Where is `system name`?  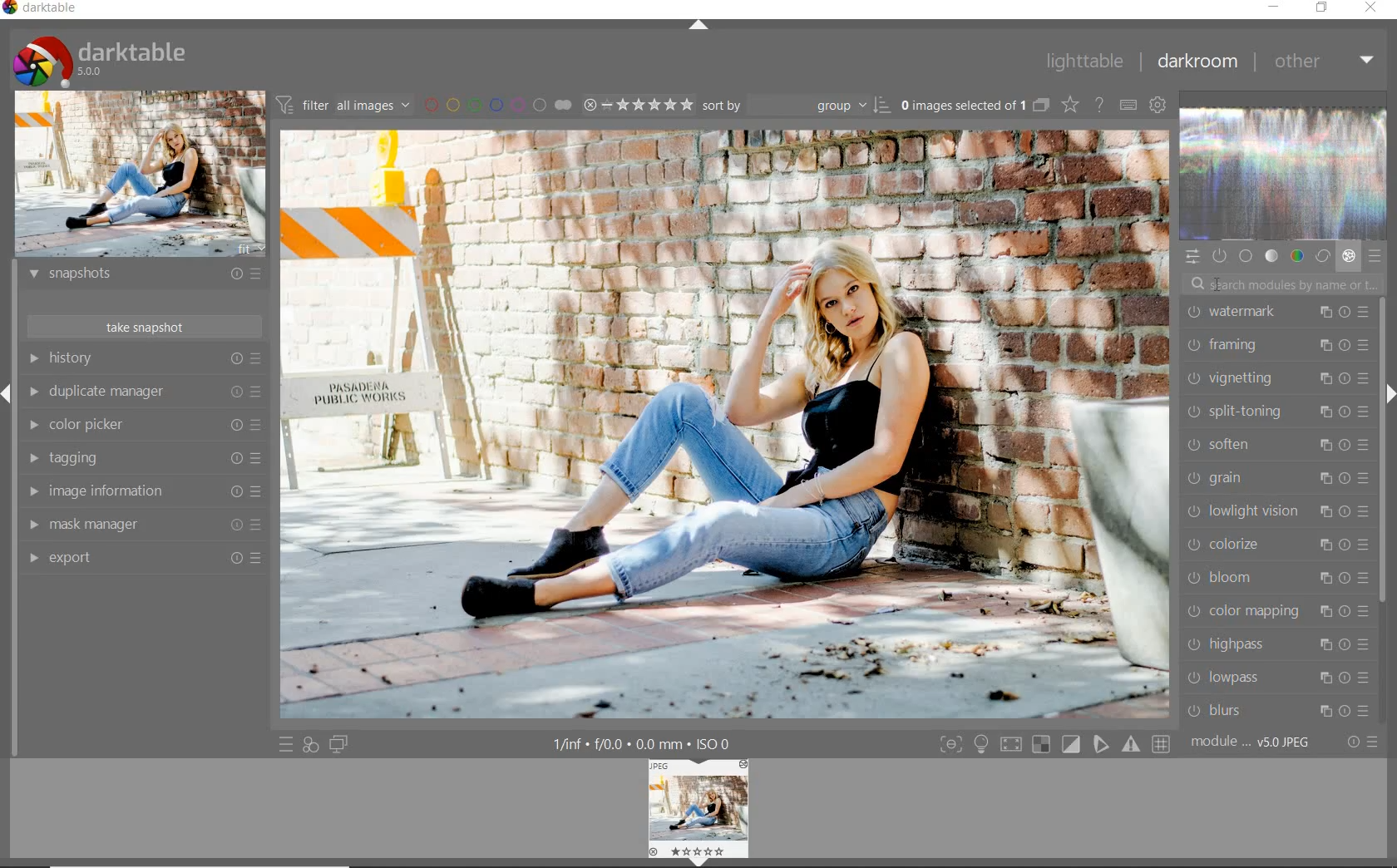
system name is located at coordinates (45, 10).